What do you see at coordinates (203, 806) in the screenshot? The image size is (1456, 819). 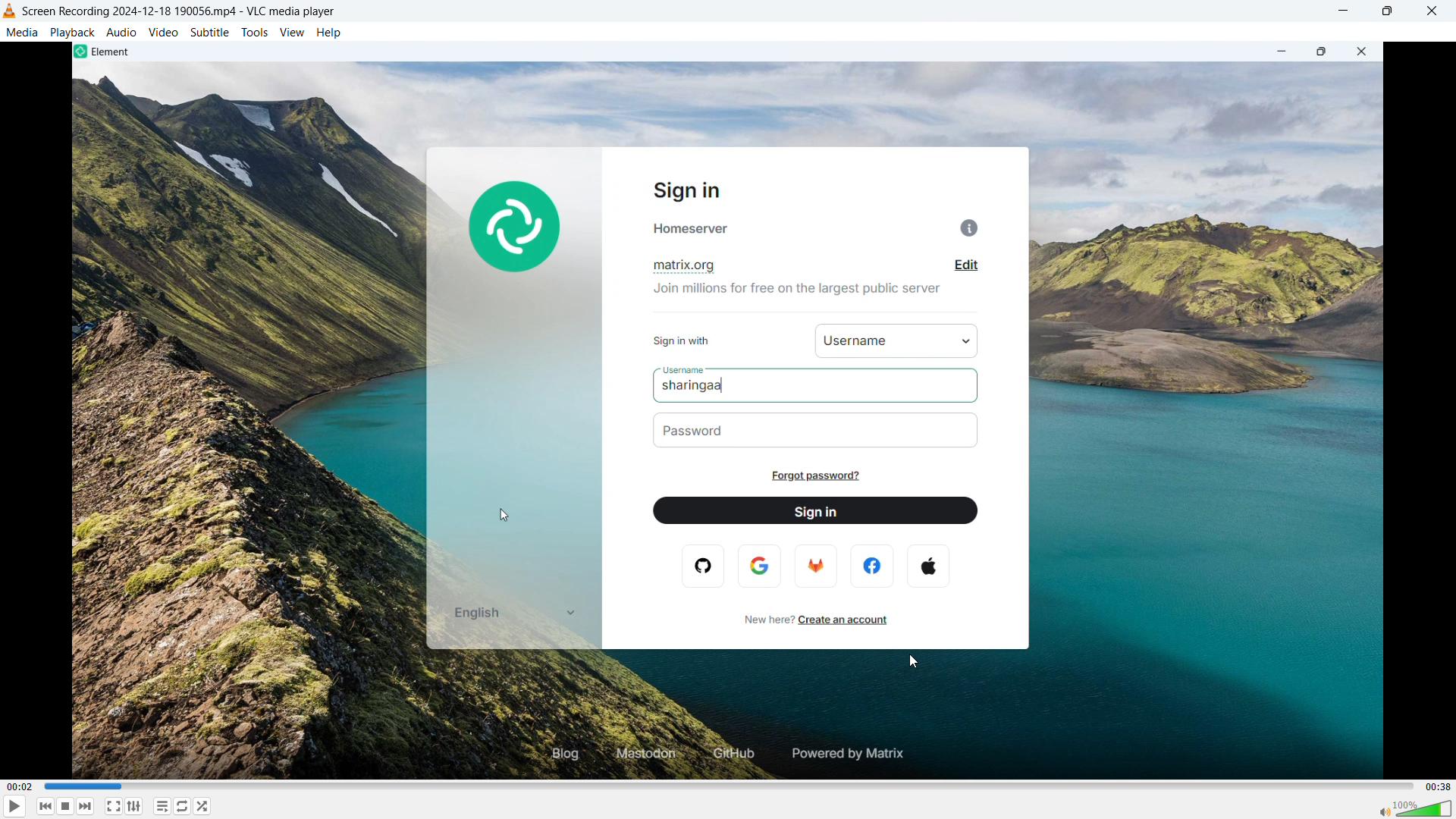 I see `random ` at bounding box center [203, 806].